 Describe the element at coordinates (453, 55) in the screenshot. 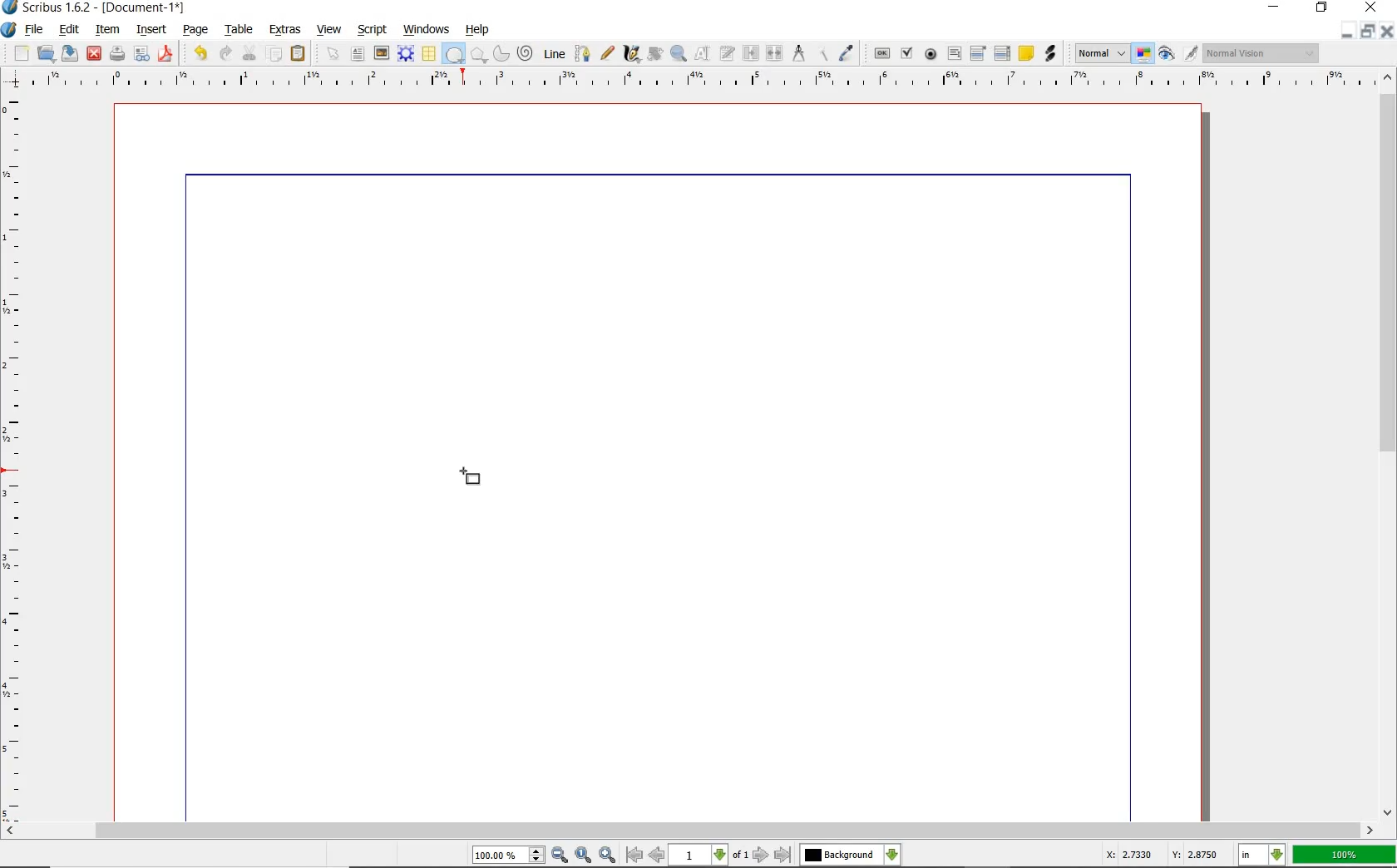

I see `SHAPE` at that location.